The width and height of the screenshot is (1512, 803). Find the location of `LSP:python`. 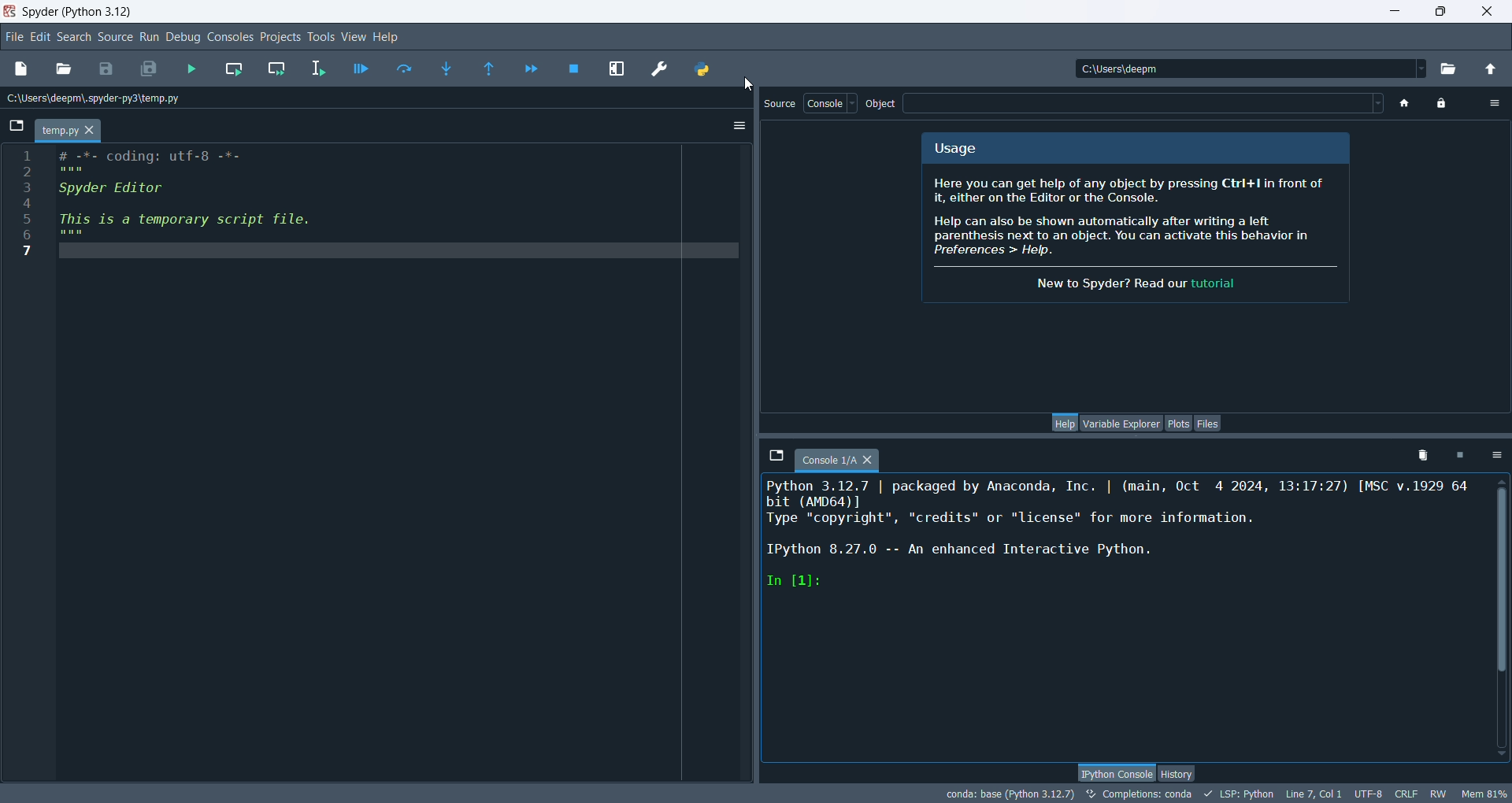

LSP:python is located at coordinates (1239, 794).